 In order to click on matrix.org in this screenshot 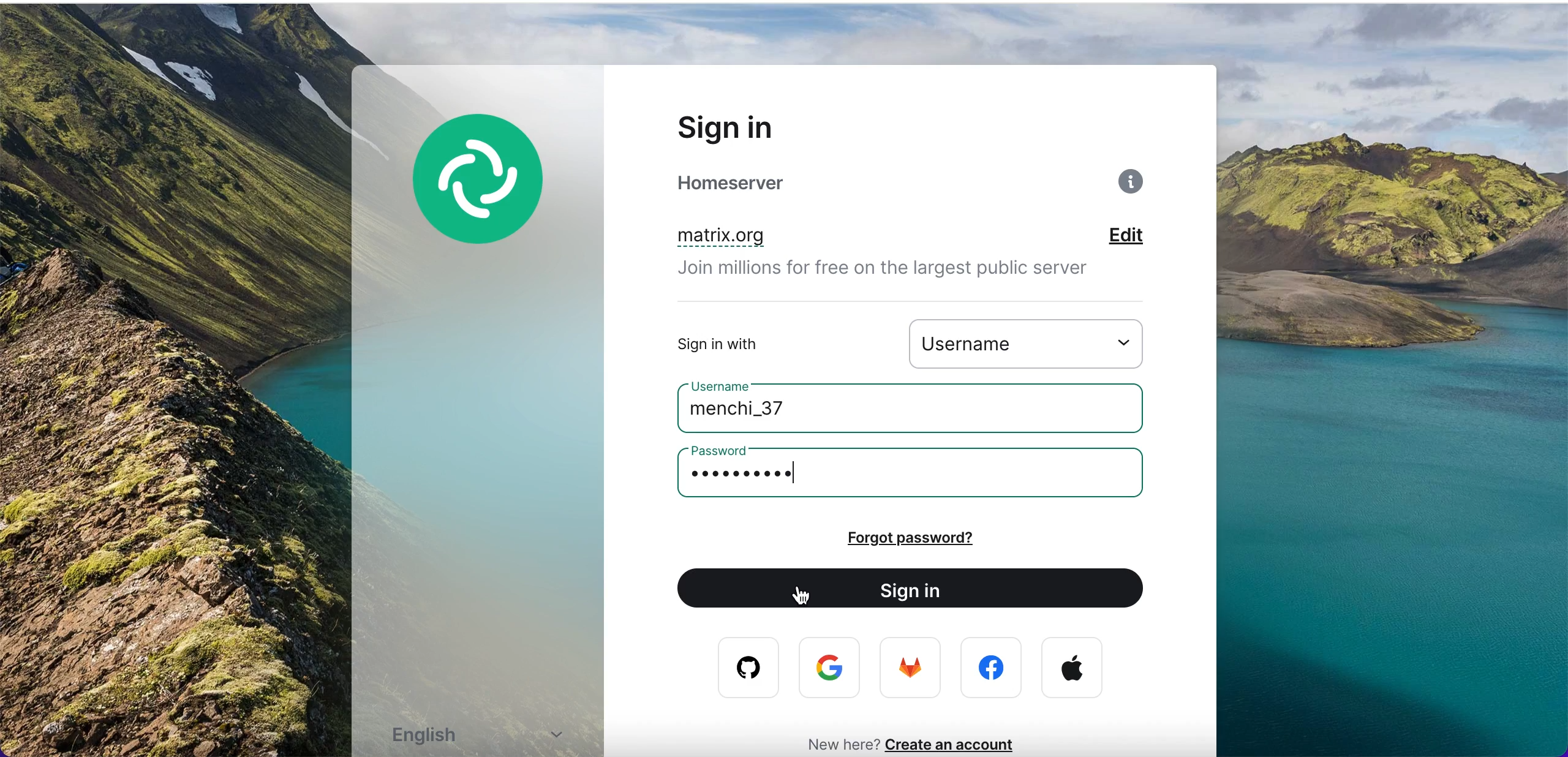, I will do `click(784, 238)`.